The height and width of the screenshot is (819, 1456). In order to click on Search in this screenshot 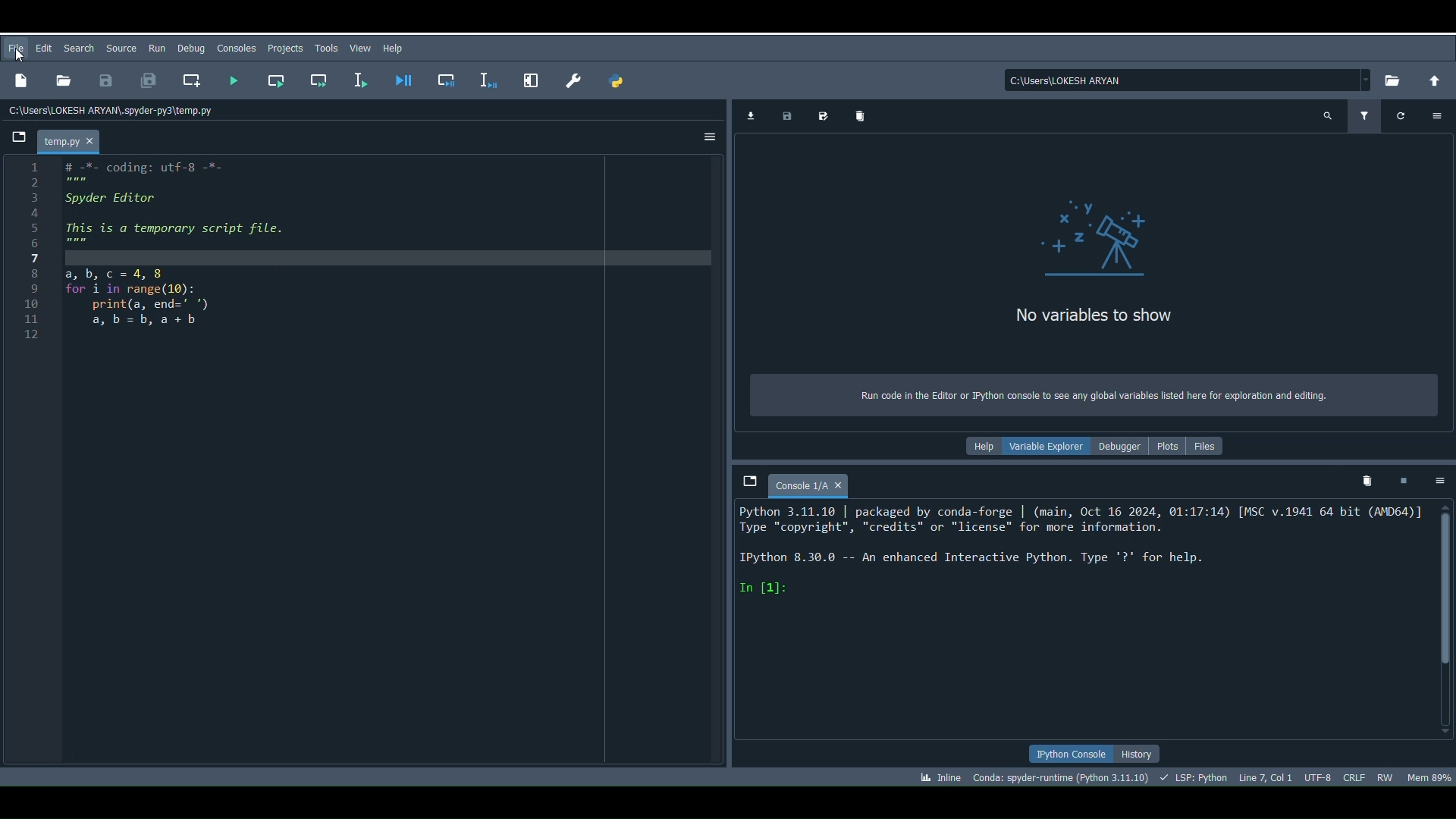, I will do `click(80, 49)`.